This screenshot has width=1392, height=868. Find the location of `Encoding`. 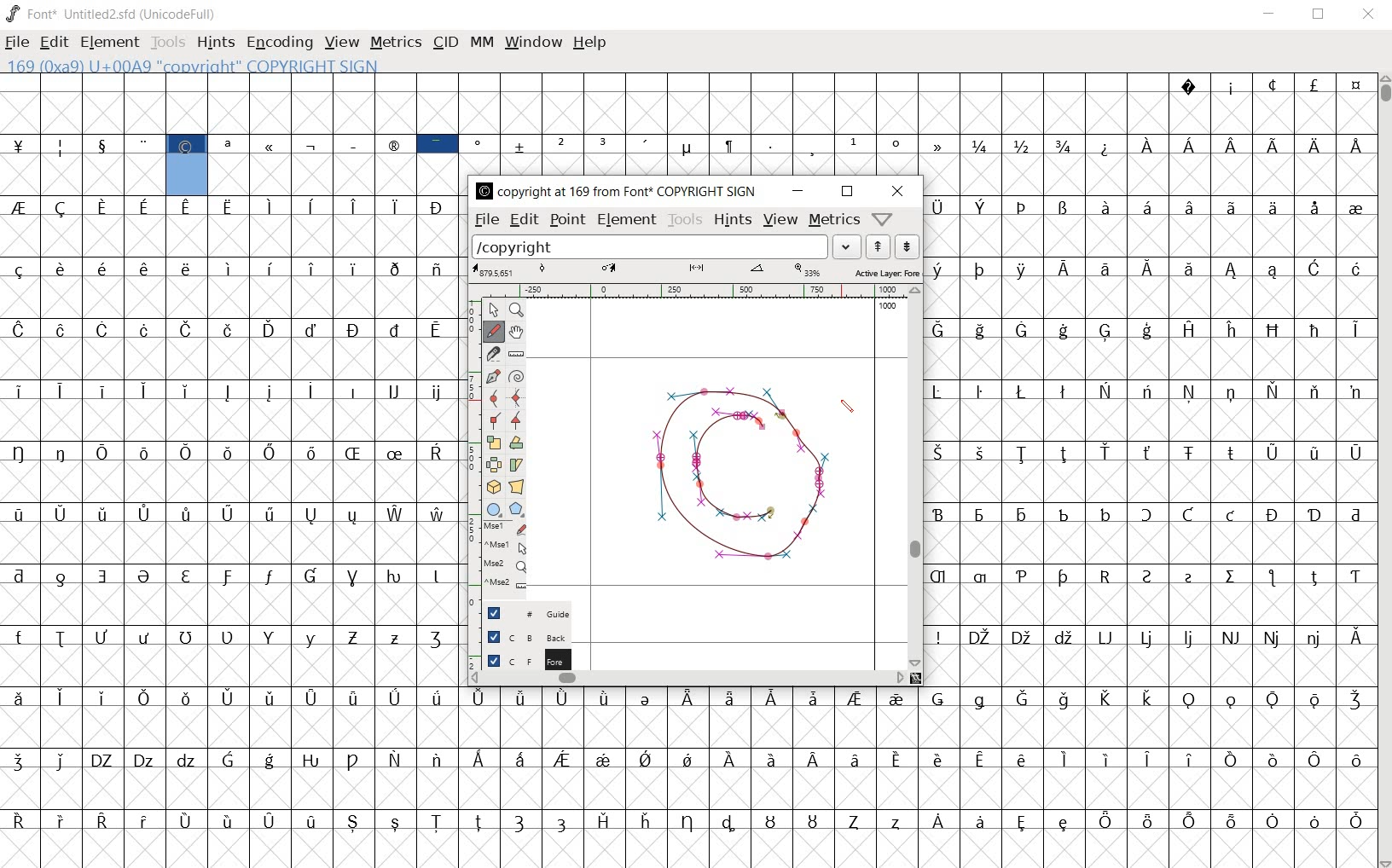

Encoding is located at coordinates (279, 43).